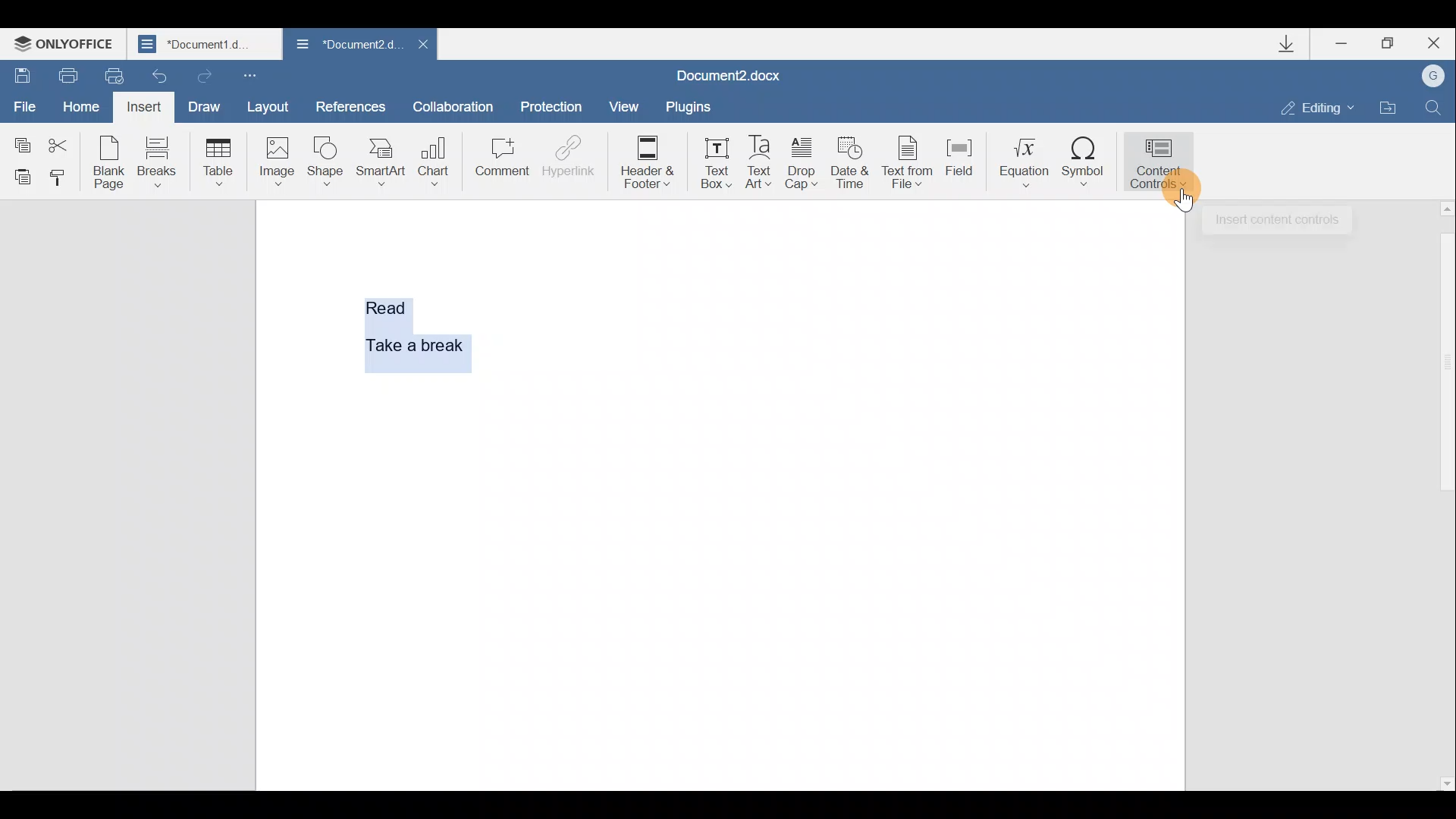 This screenshot has width=1456, height=819. What do you see at coordinates (959, 163) in the screenshot?
I see `Field` at bounding box center [959, 163].